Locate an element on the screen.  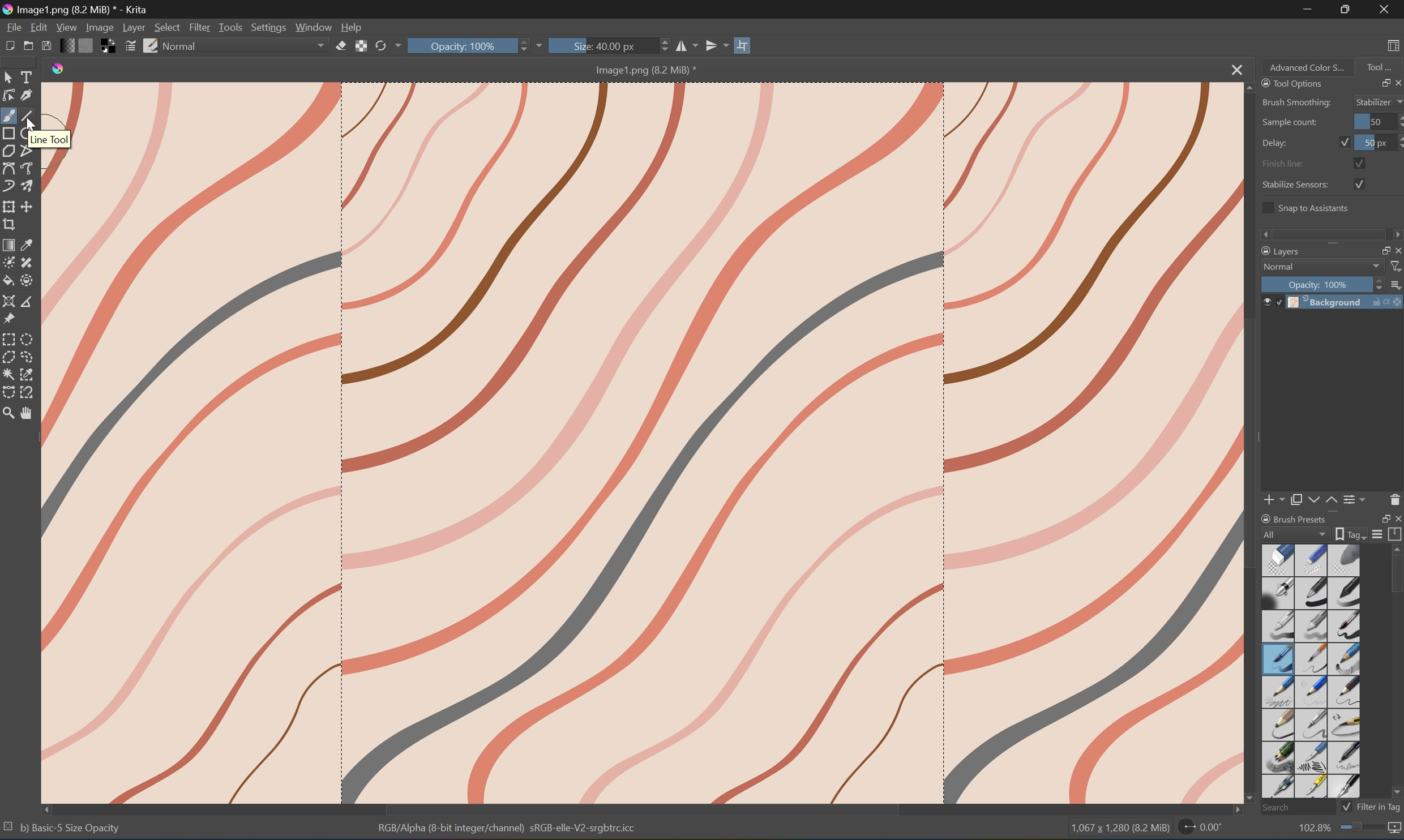
Normal is located at coordinates (1279, 267).